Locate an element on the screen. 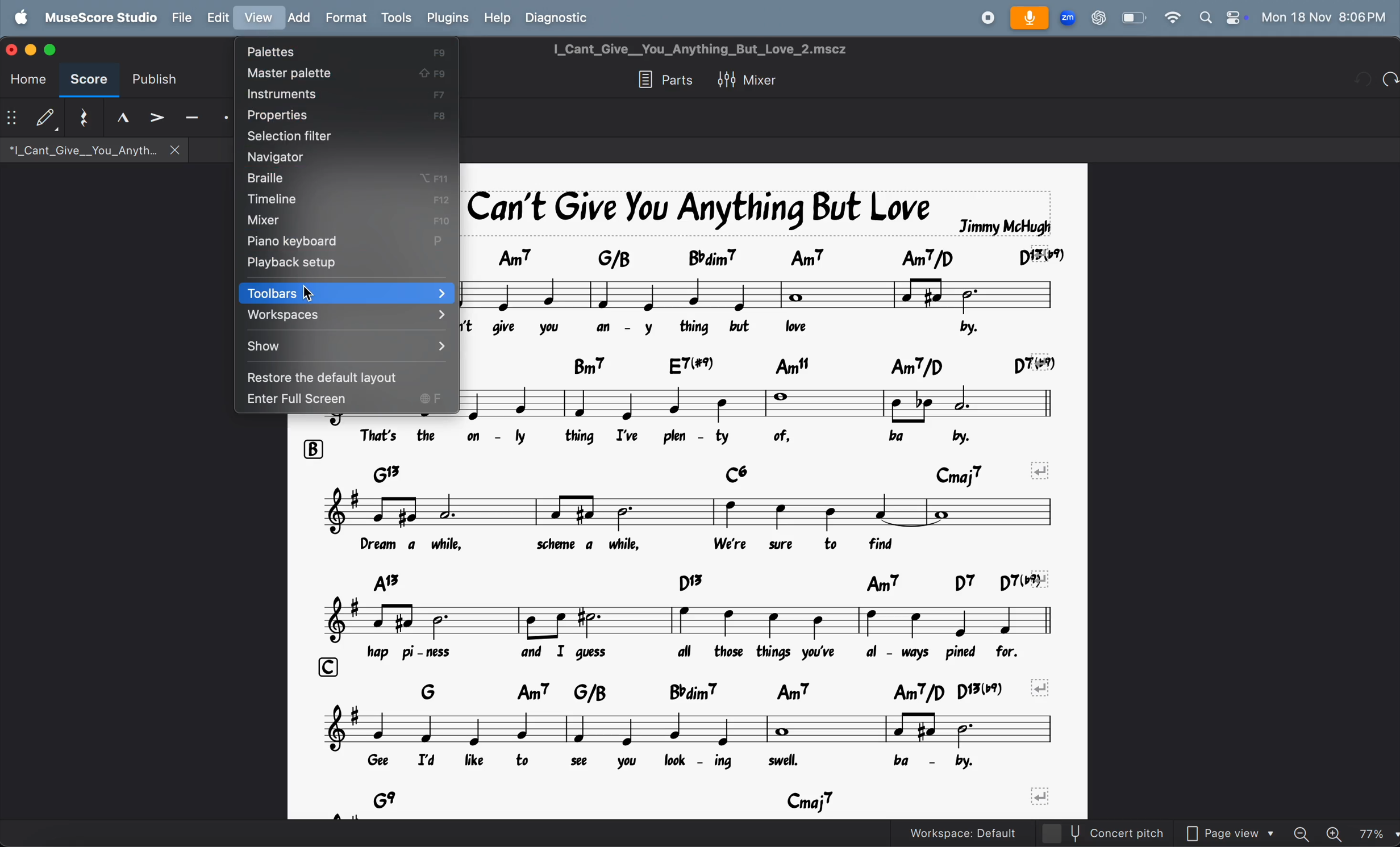  mixer is located at coordinates (748, 81).